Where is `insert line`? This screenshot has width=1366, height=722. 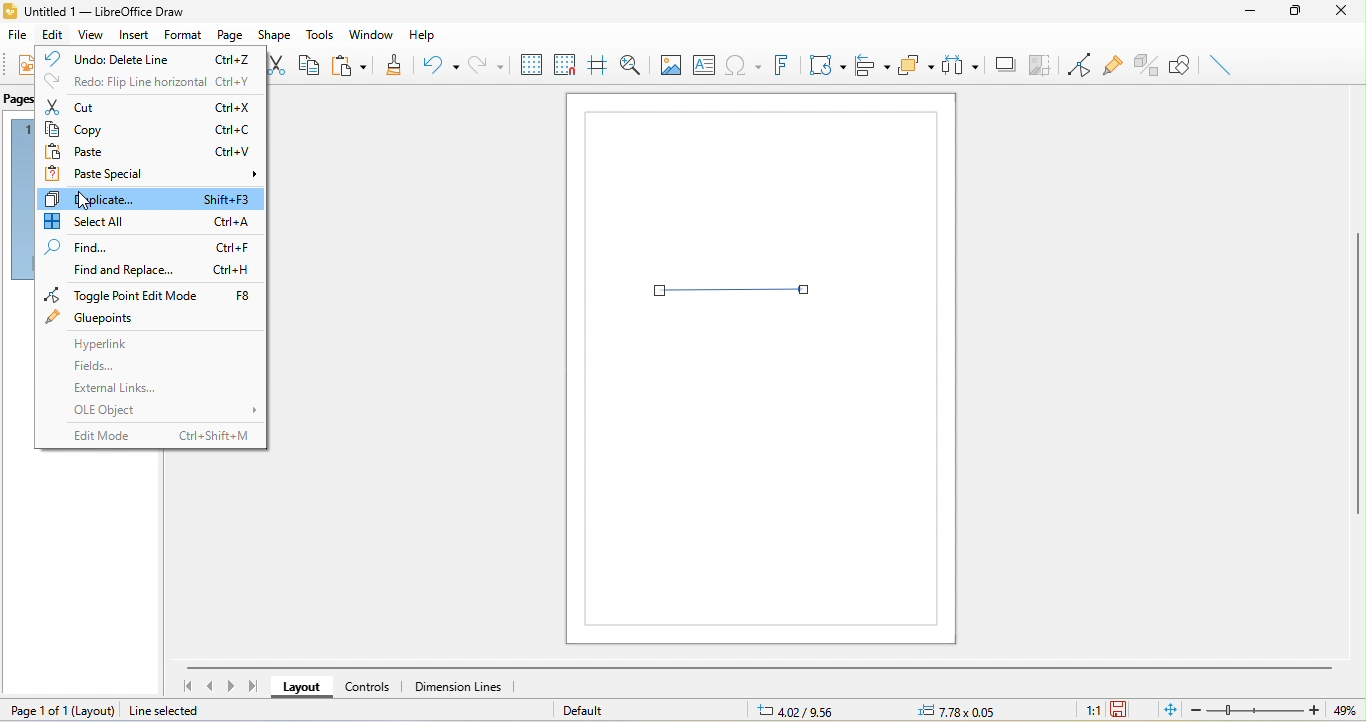
insert line is located at coordinates (1221, 65).